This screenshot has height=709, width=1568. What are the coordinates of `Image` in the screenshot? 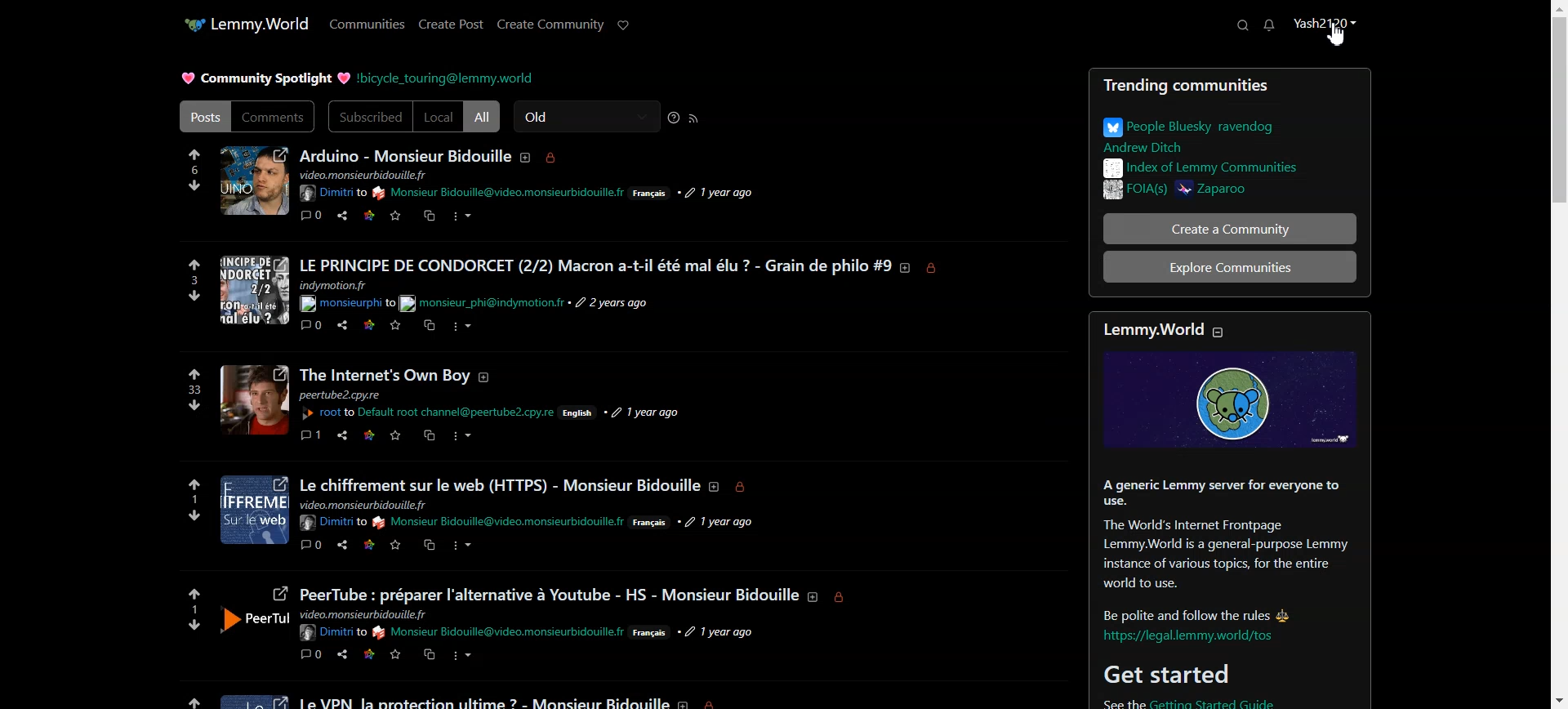 It's located at (1221, 399).